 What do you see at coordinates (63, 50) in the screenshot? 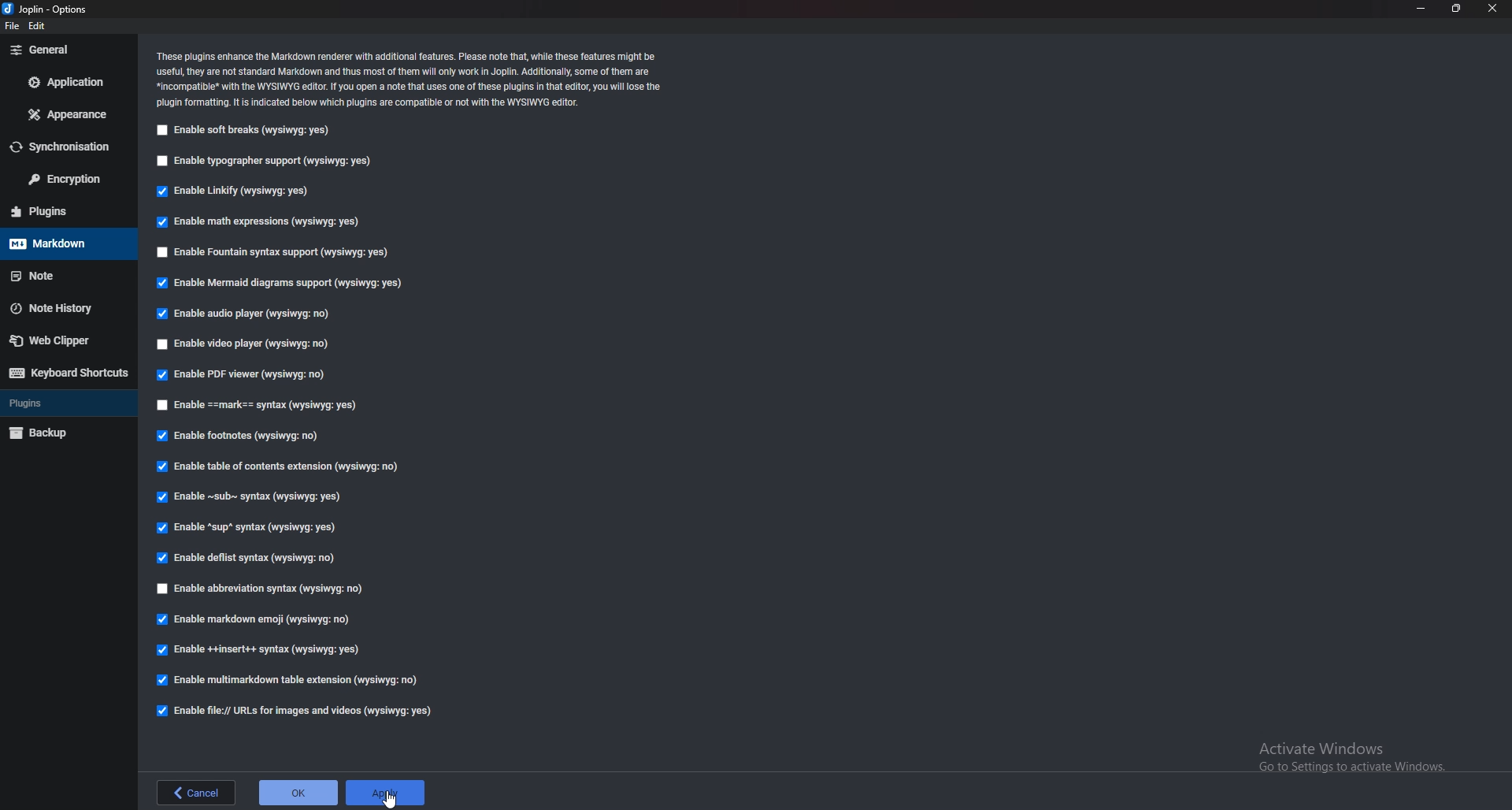
I see `General` at bounding box center [63, 50].